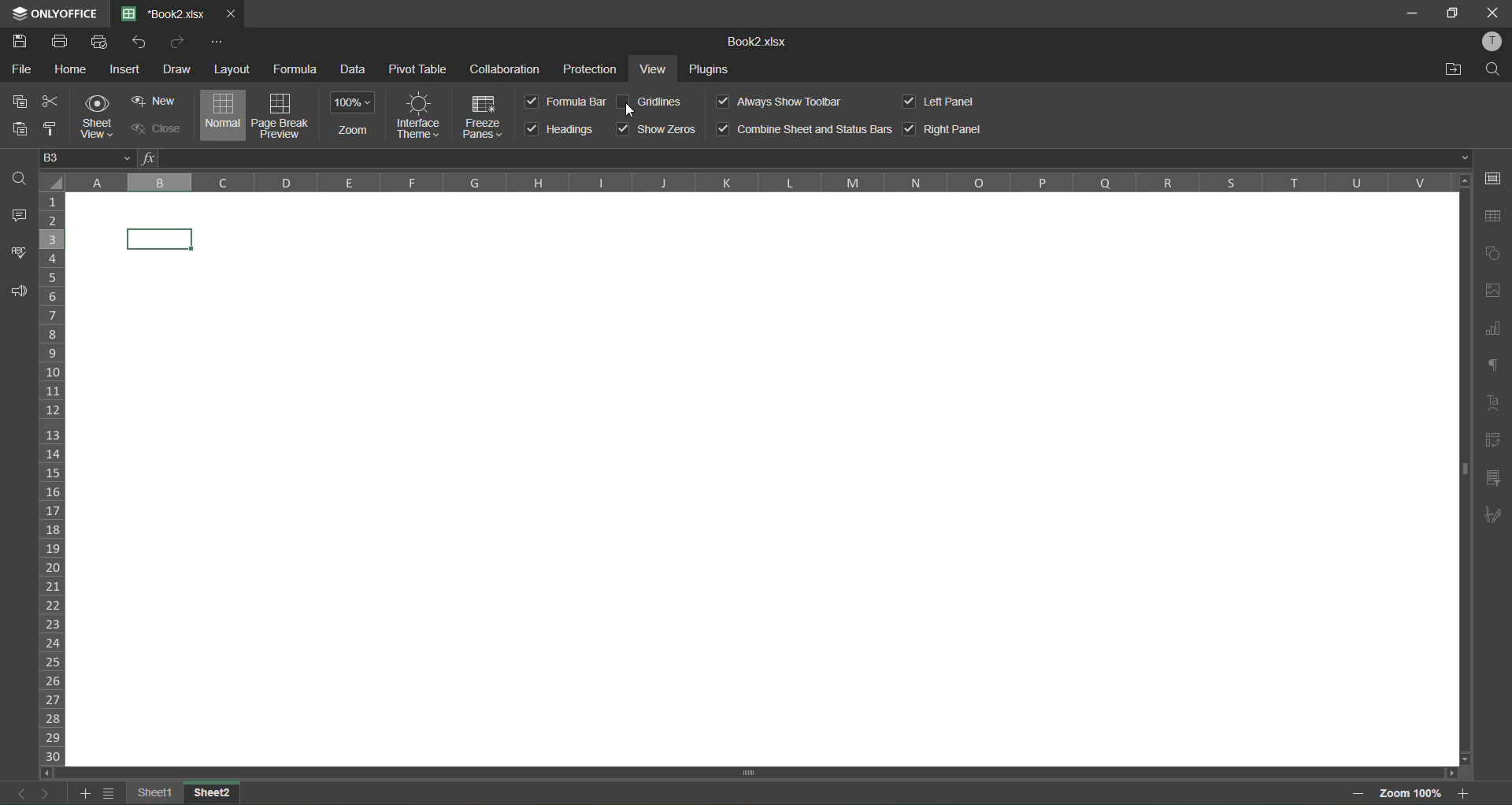  Describe the element at coordinates (779, 100) in the screenshot. I see `always show toolbar` at that location.